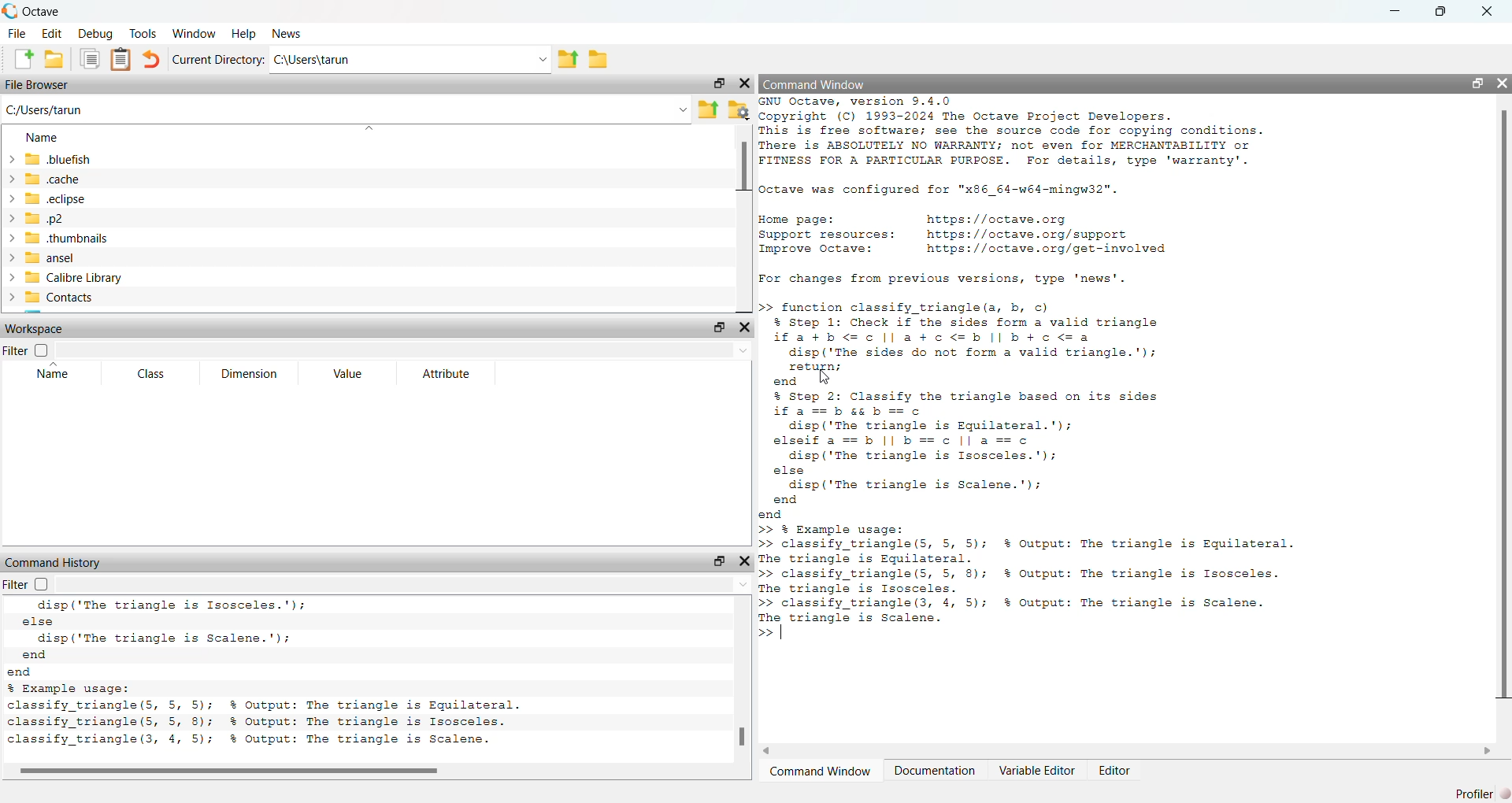 The width and height of the screenshot is (1512, 803). Describe the element at coordinates (67, 278) in the screenshot. I see `calibre library` at that location.